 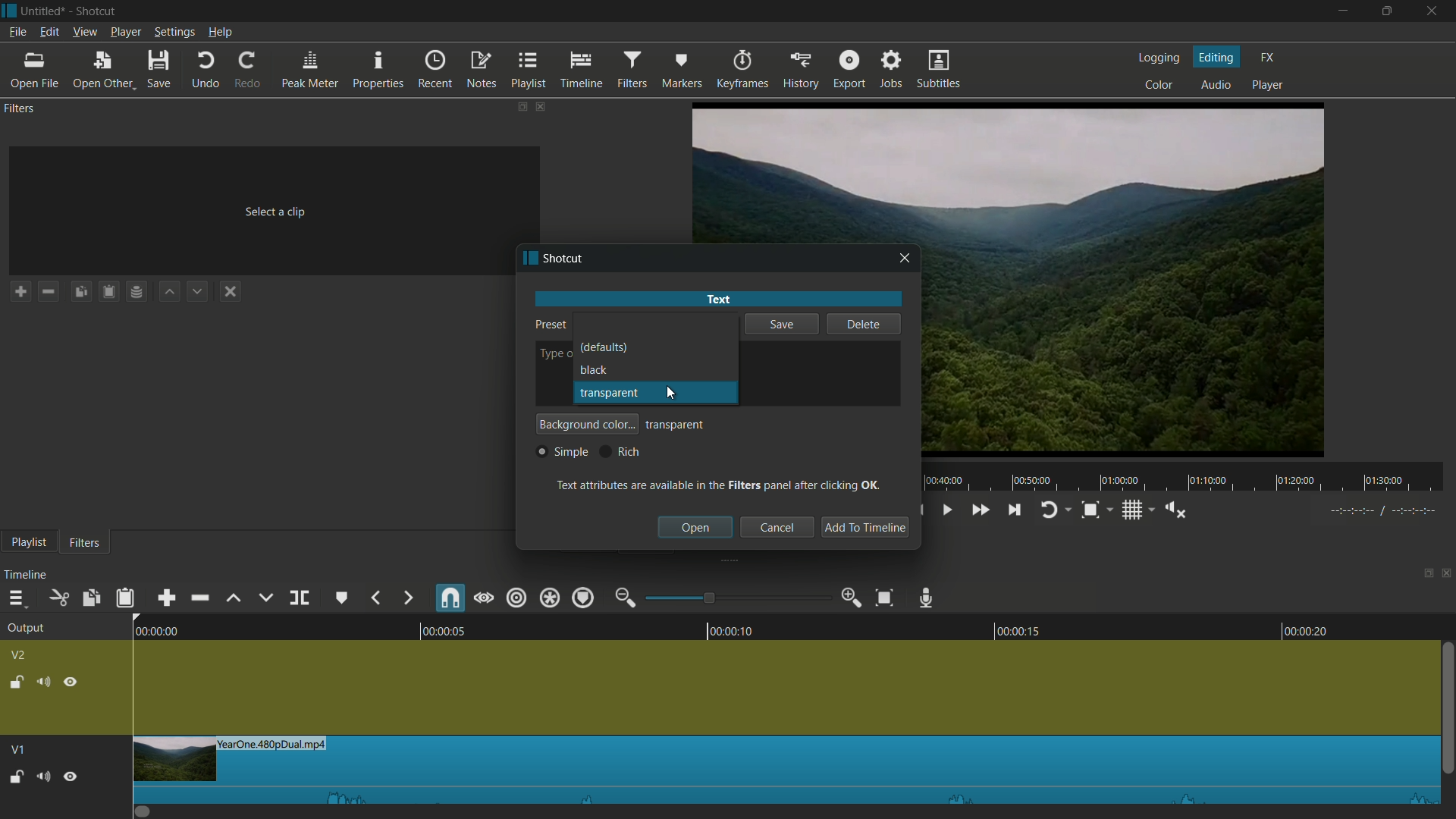 I want to click on cancel, so click(x=777, y=528).